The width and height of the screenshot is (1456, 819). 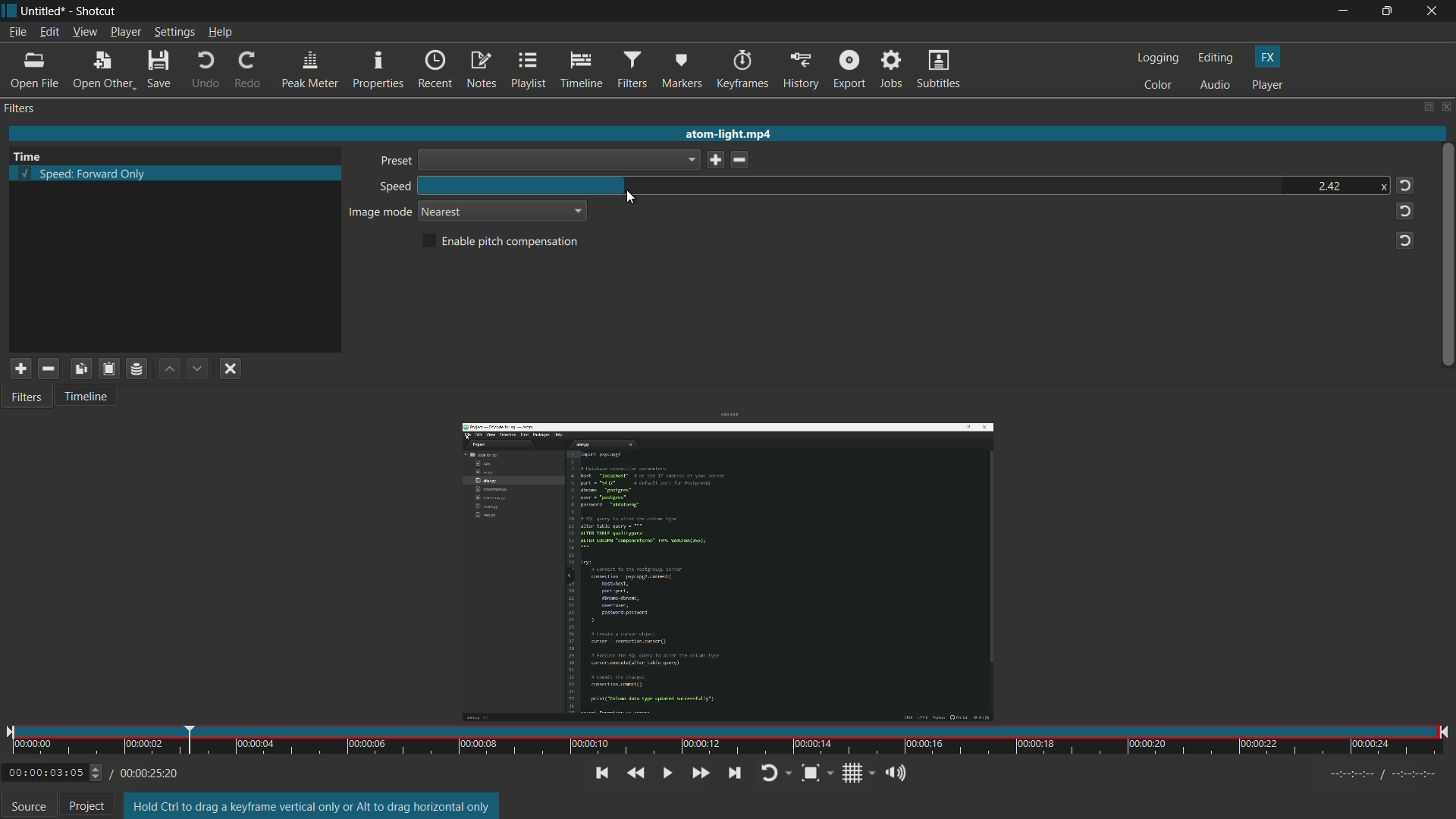 What do you see at coordinates (94, 399) in the screenshot?
I see `Timeline` at bounding box center [94, 399].